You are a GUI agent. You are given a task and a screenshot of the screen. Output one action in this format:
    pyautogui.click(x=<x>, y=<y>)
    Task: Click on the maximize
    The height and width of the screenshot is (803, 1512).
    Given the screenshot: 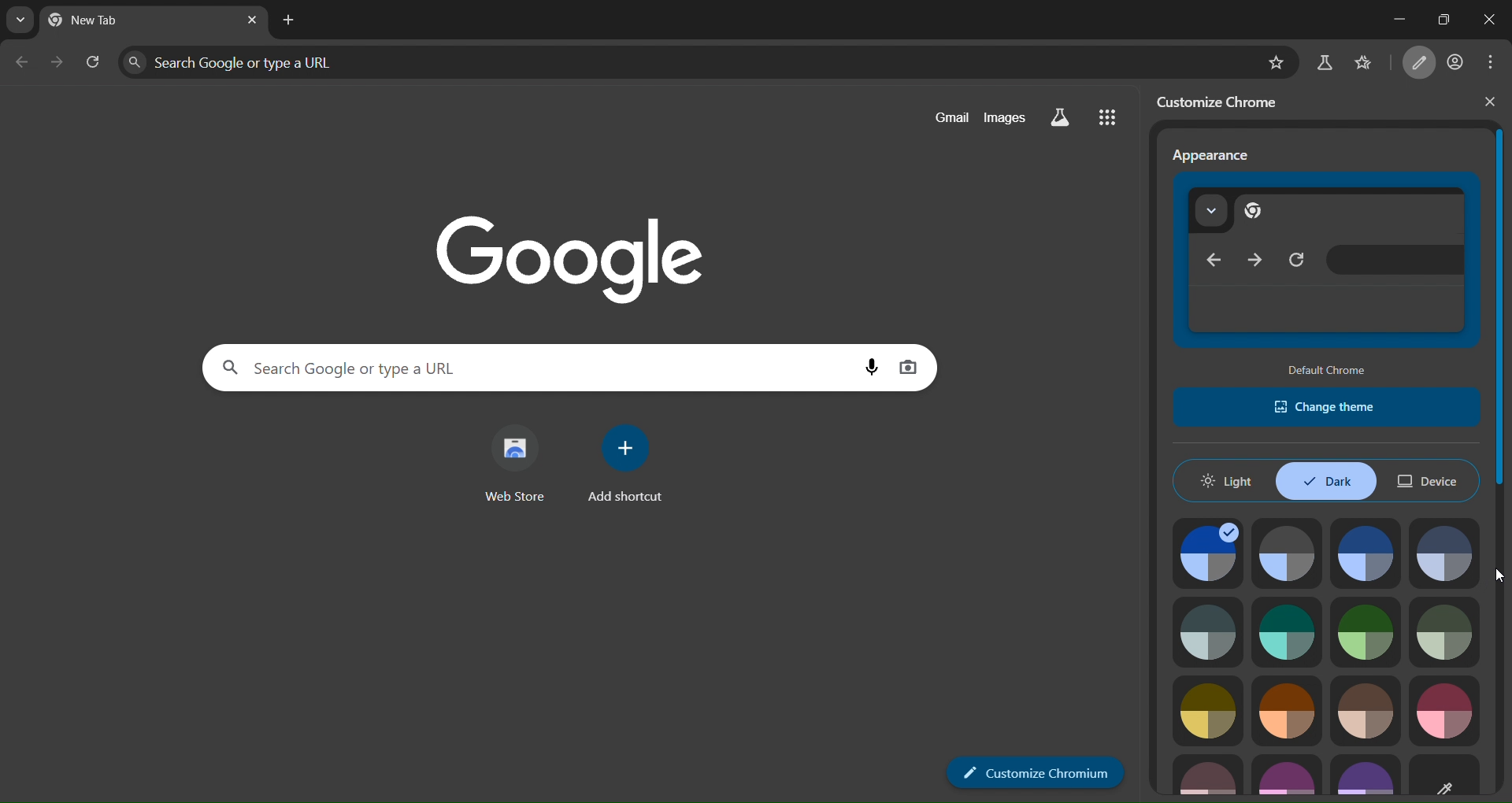 What is the action you would take?
    pyautogui.click(x=1440, y=18)
    